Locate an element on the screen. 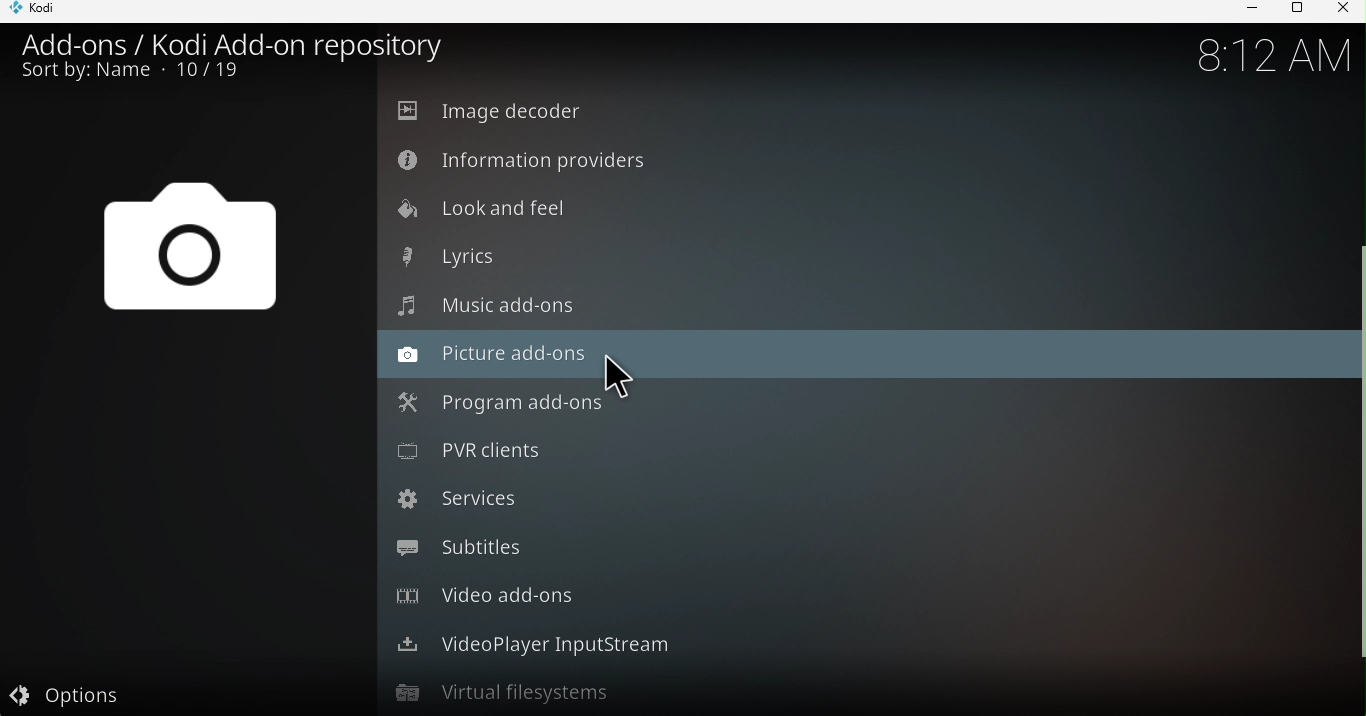 This screenshot has height=716, width=1366. Video add-ons is located at coordinates (851, 594).